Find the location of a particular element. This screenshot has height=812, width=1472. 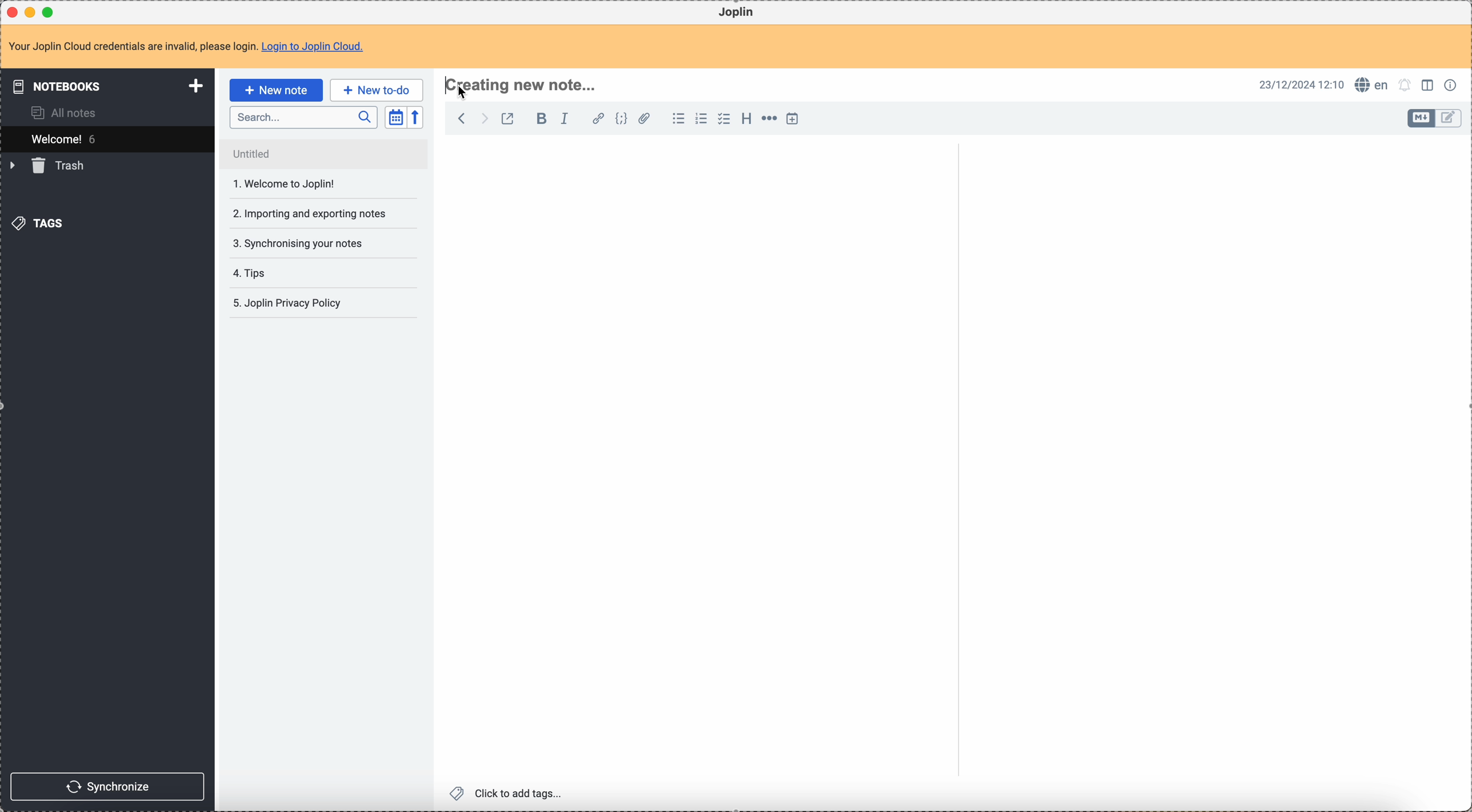

bulleted list is located at coordinates (678, 120).